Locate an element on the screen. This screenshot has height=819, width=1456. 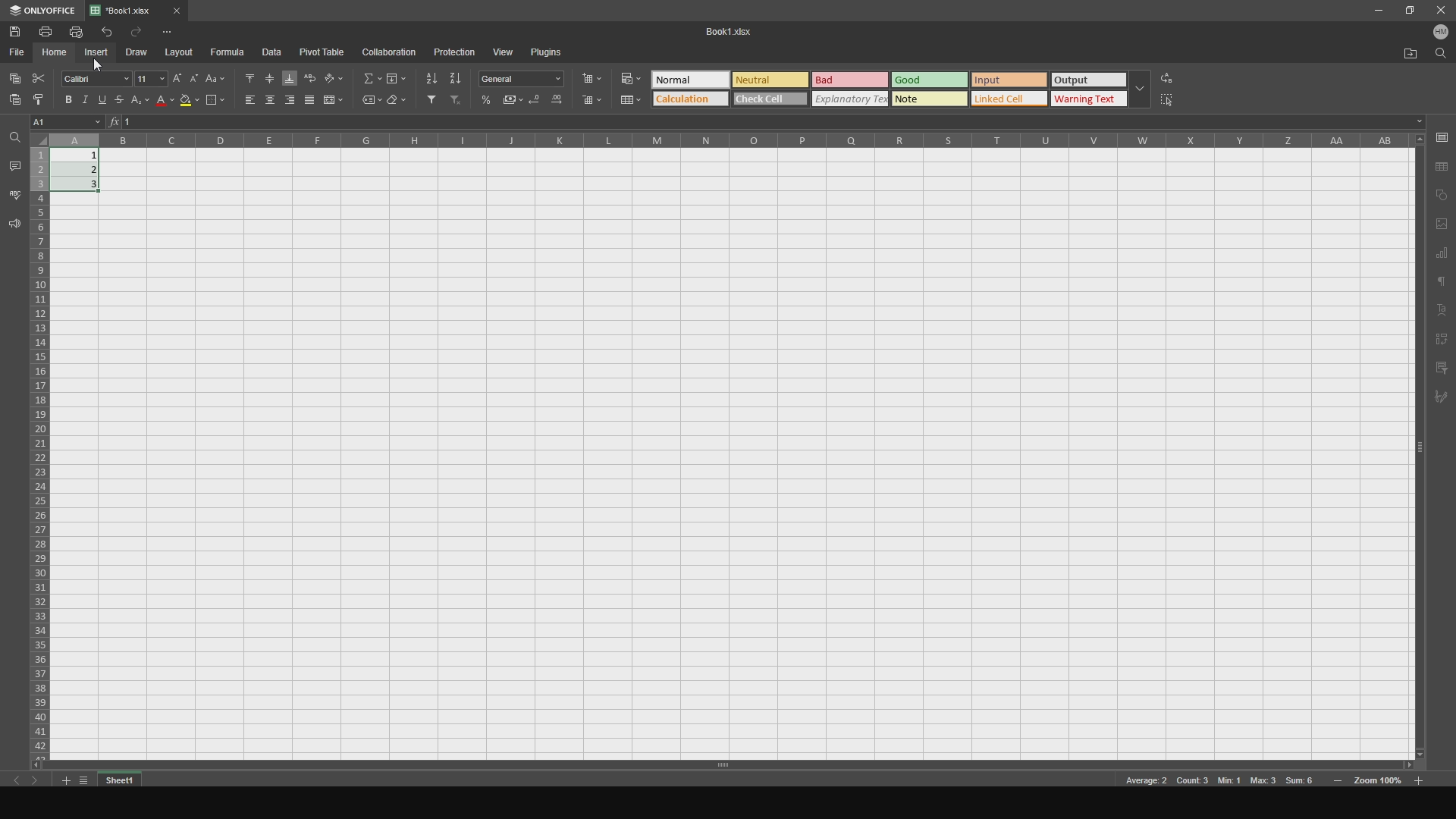
horizontal slider is located at coordinates (718, 764).